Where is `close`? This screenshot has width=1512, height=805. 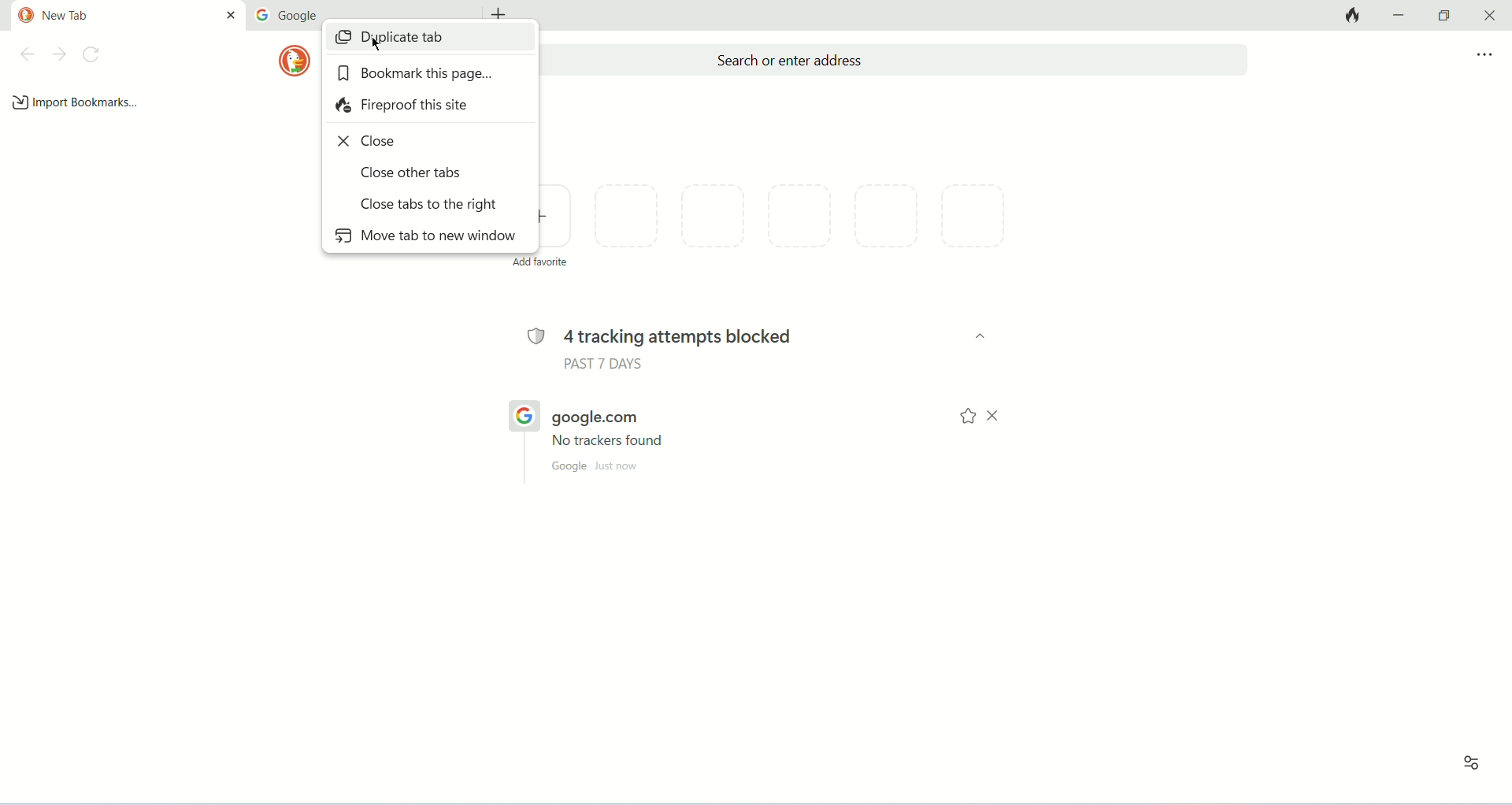
close is located at coordinates (1492, 14).